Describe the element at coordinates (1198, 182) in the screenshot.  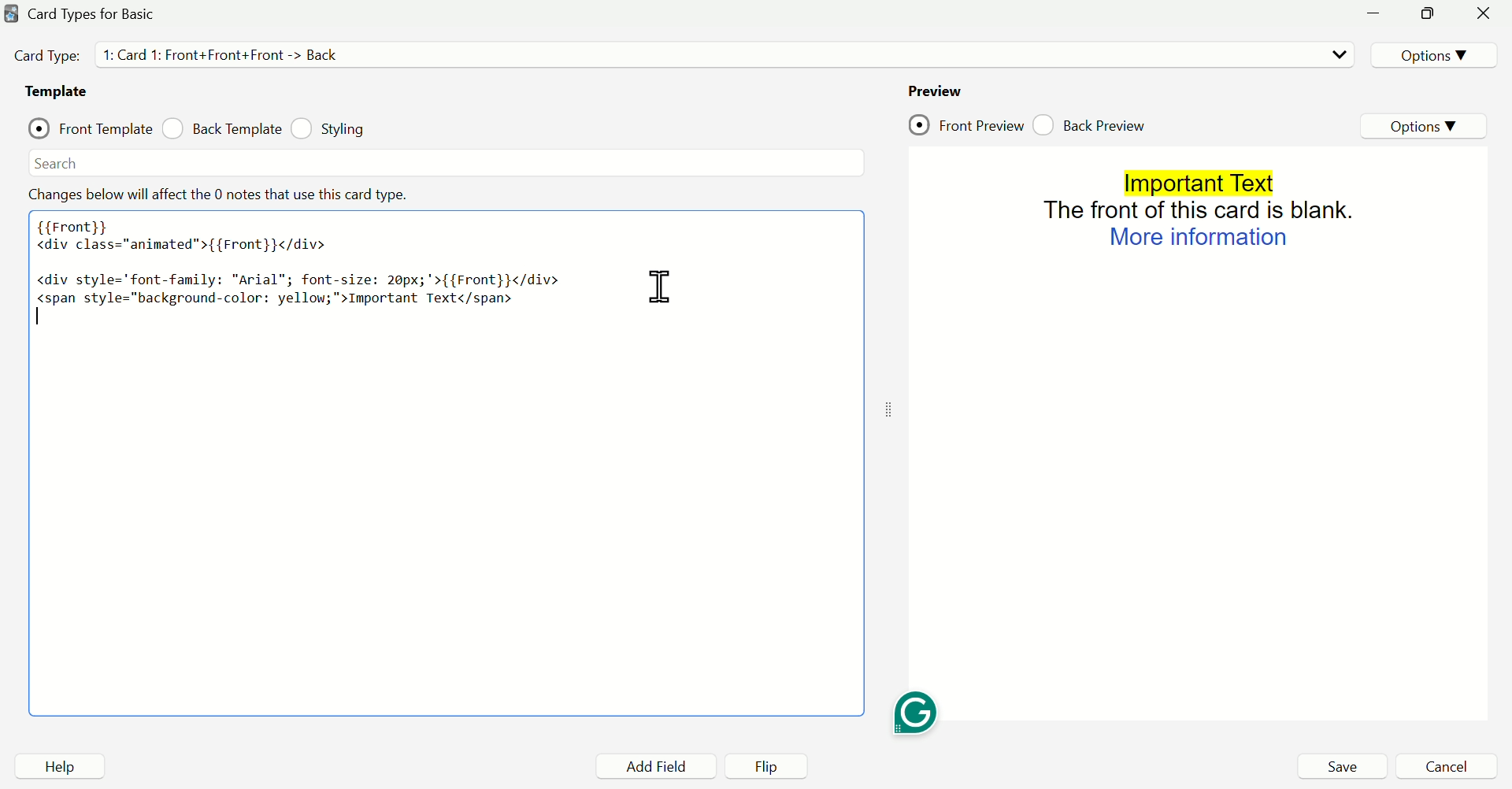
I see `Important text (Highlighted)` at that location.